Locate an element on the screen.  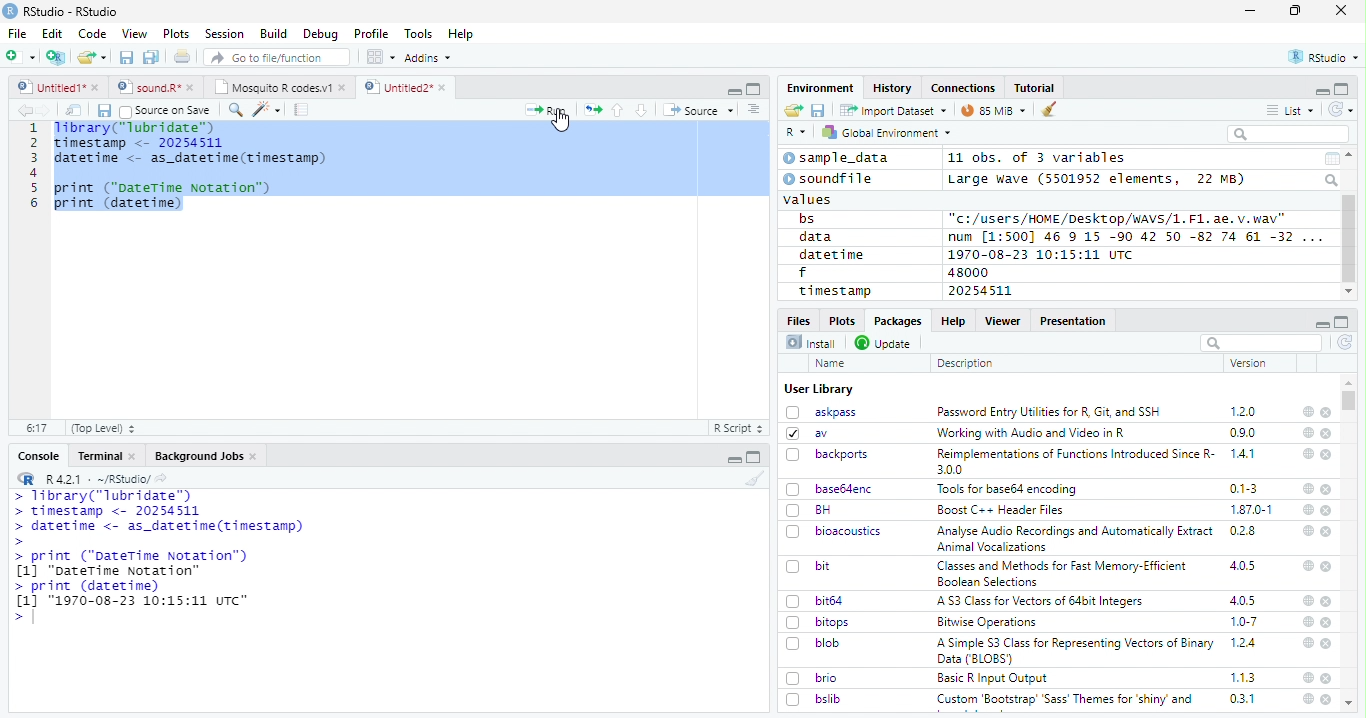
R is located at coordinates (796, 133).